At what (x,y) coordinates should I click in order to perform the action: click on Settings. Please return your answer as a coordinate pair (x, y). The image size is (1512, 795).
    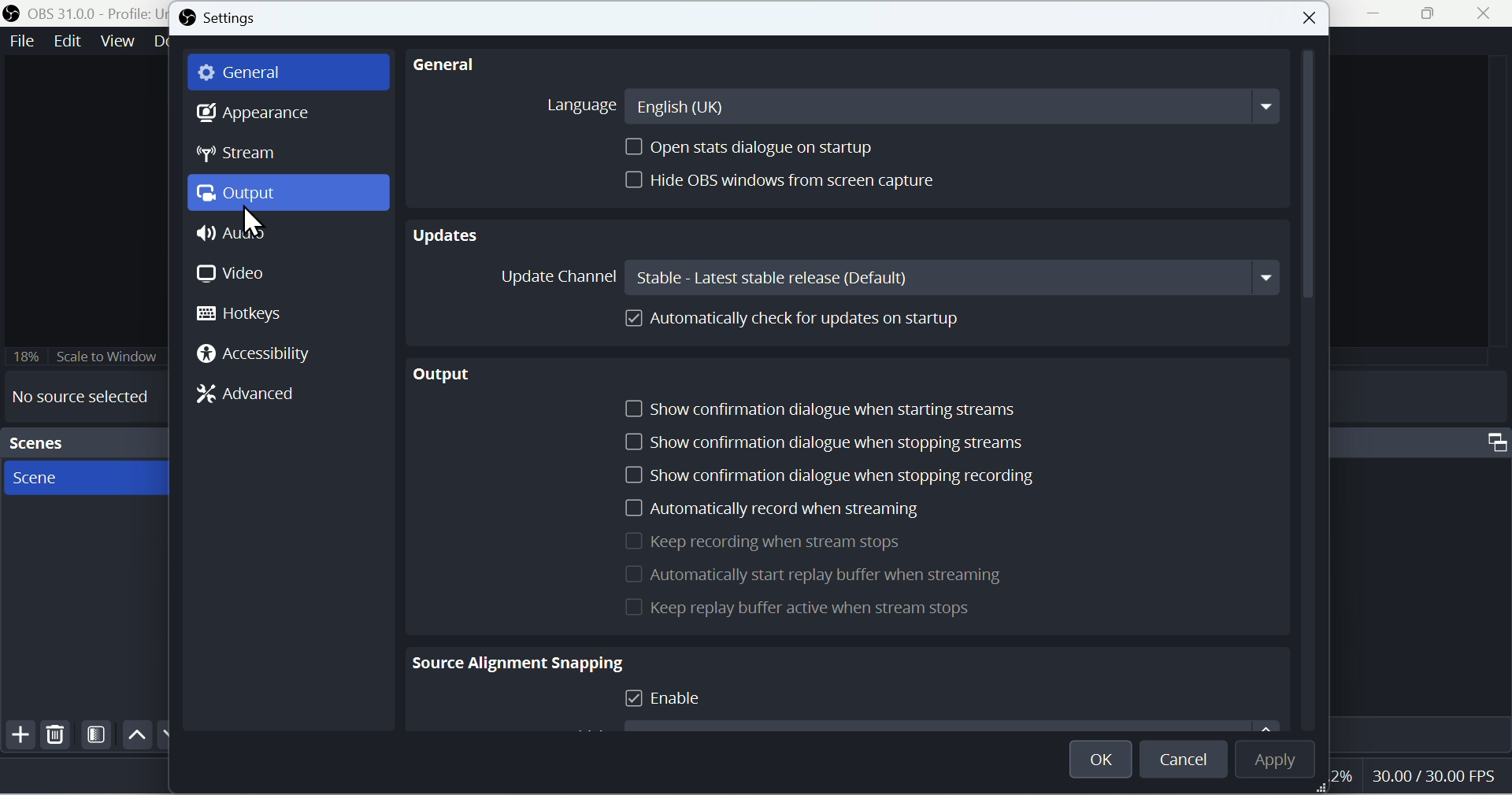
    Looking at the image, I should click on (229, 20).